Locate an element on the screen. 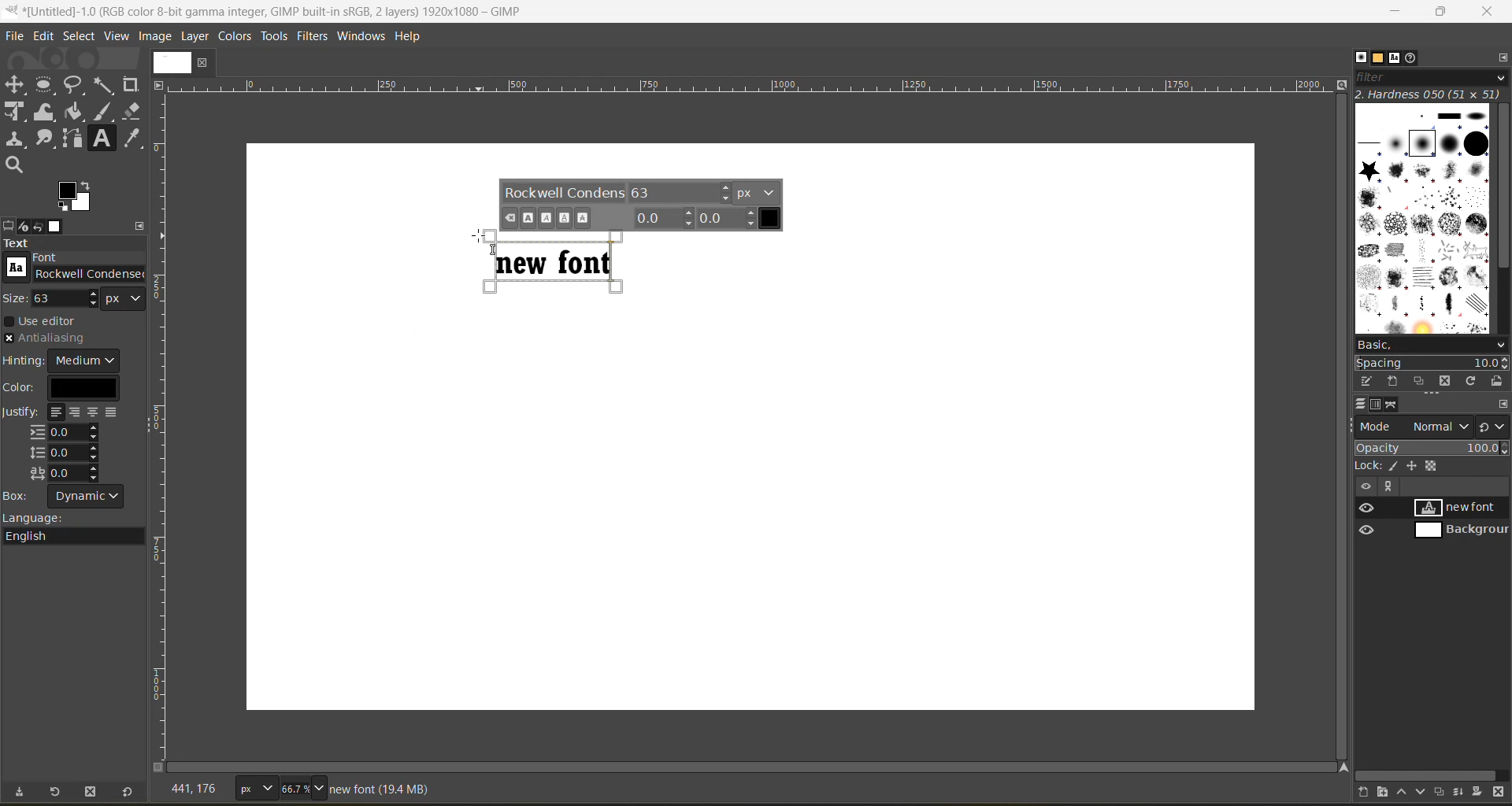  hinting is located at coordinates (65, 361).